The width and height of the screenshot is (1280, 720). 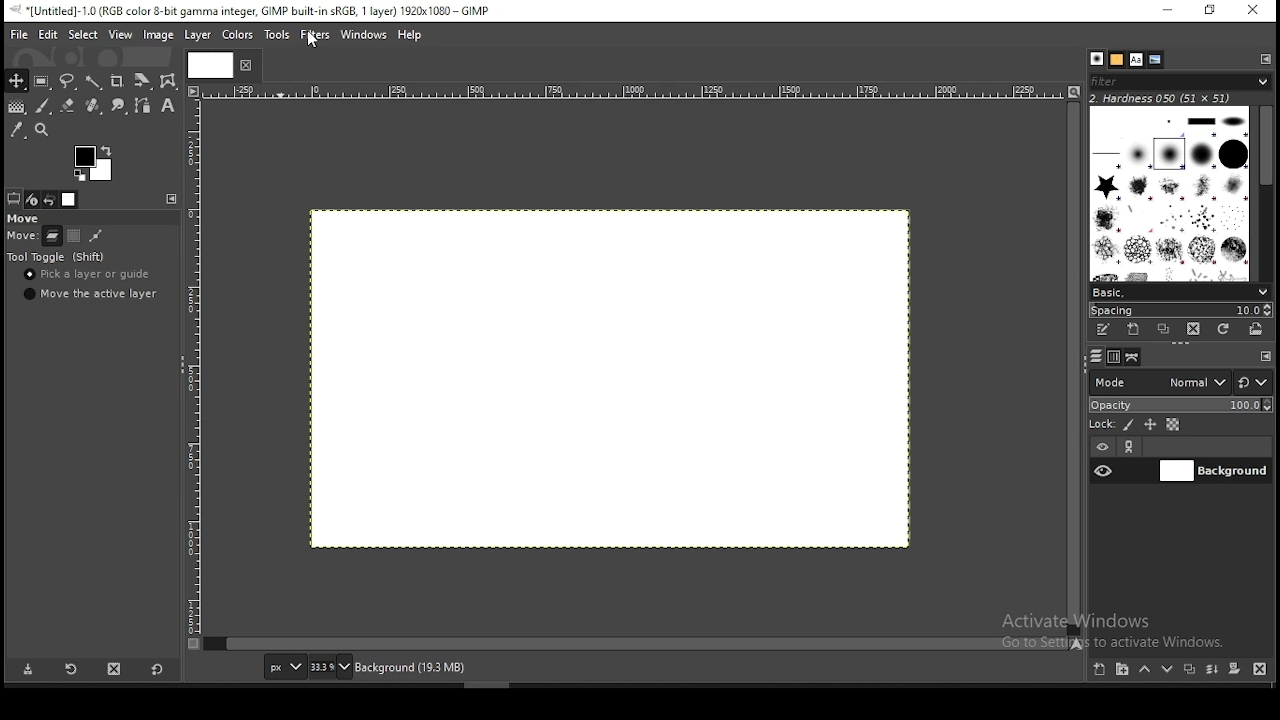 What do you see at coordinates (315, 43) in the screenshot?
I see `mouse pointer` at bounding box center [315, 43].